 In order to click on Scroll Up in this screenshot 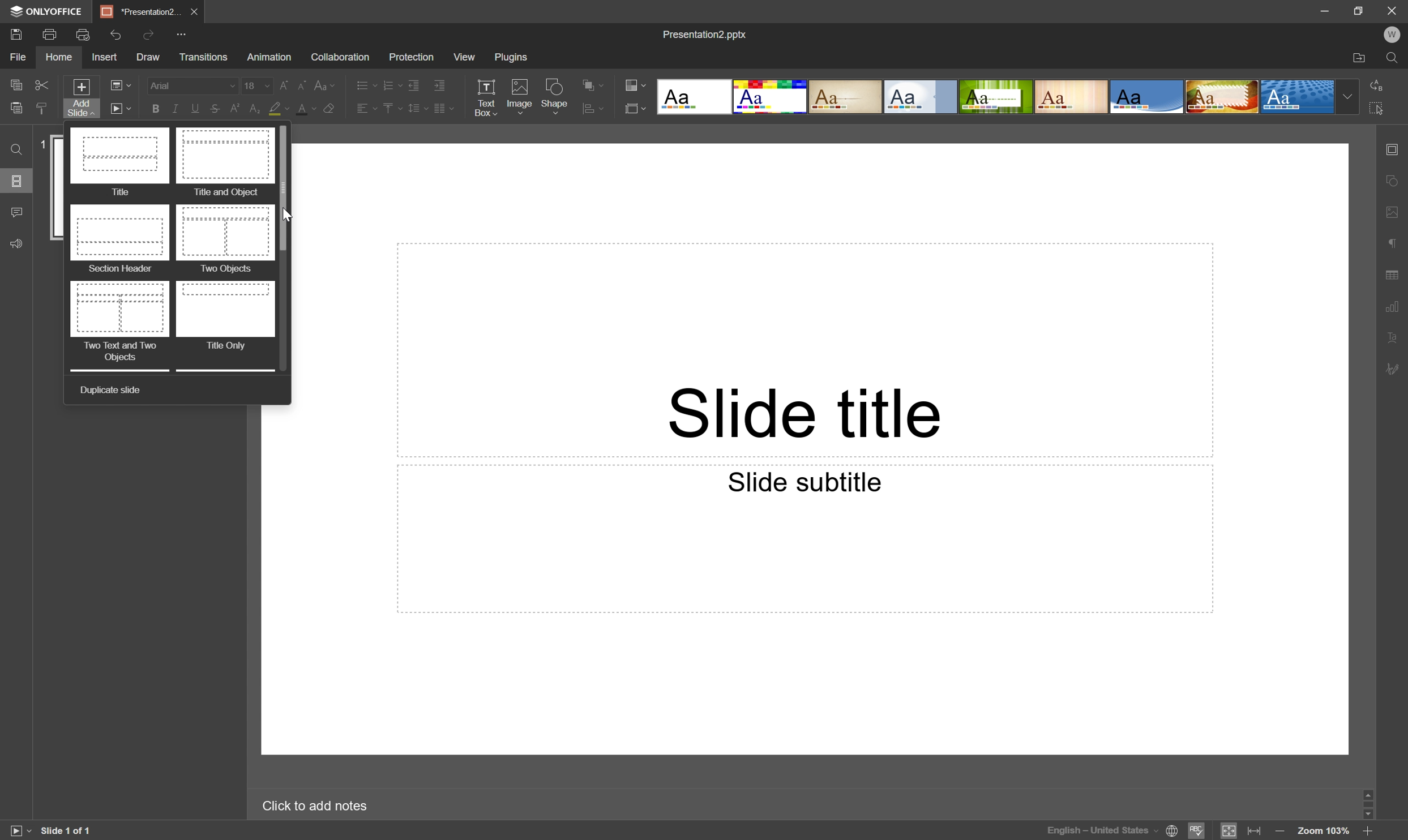, I will do `click(1374, 792)`.